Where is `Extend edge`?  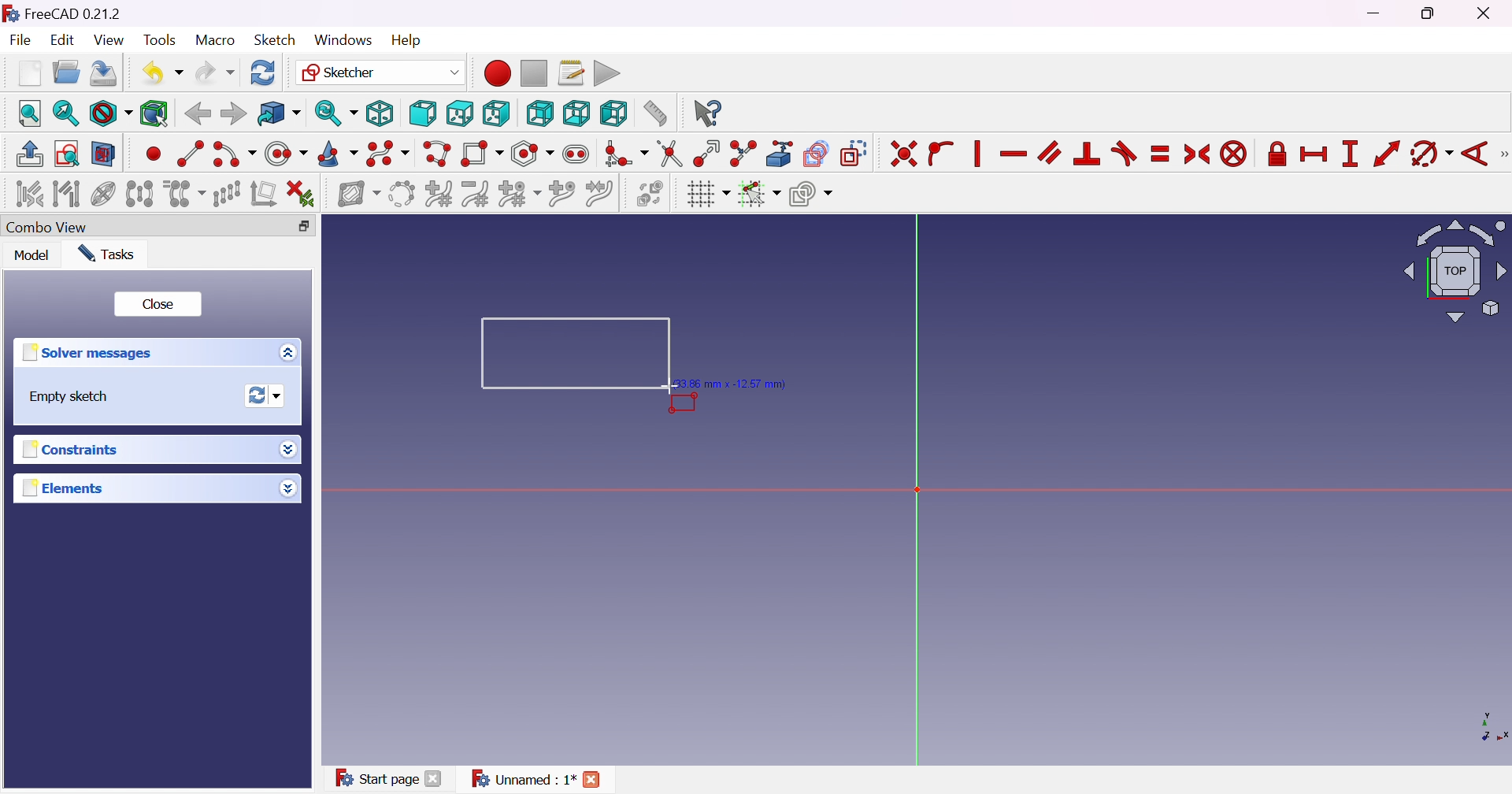
Extend edge is located at coordinates (708, 155).